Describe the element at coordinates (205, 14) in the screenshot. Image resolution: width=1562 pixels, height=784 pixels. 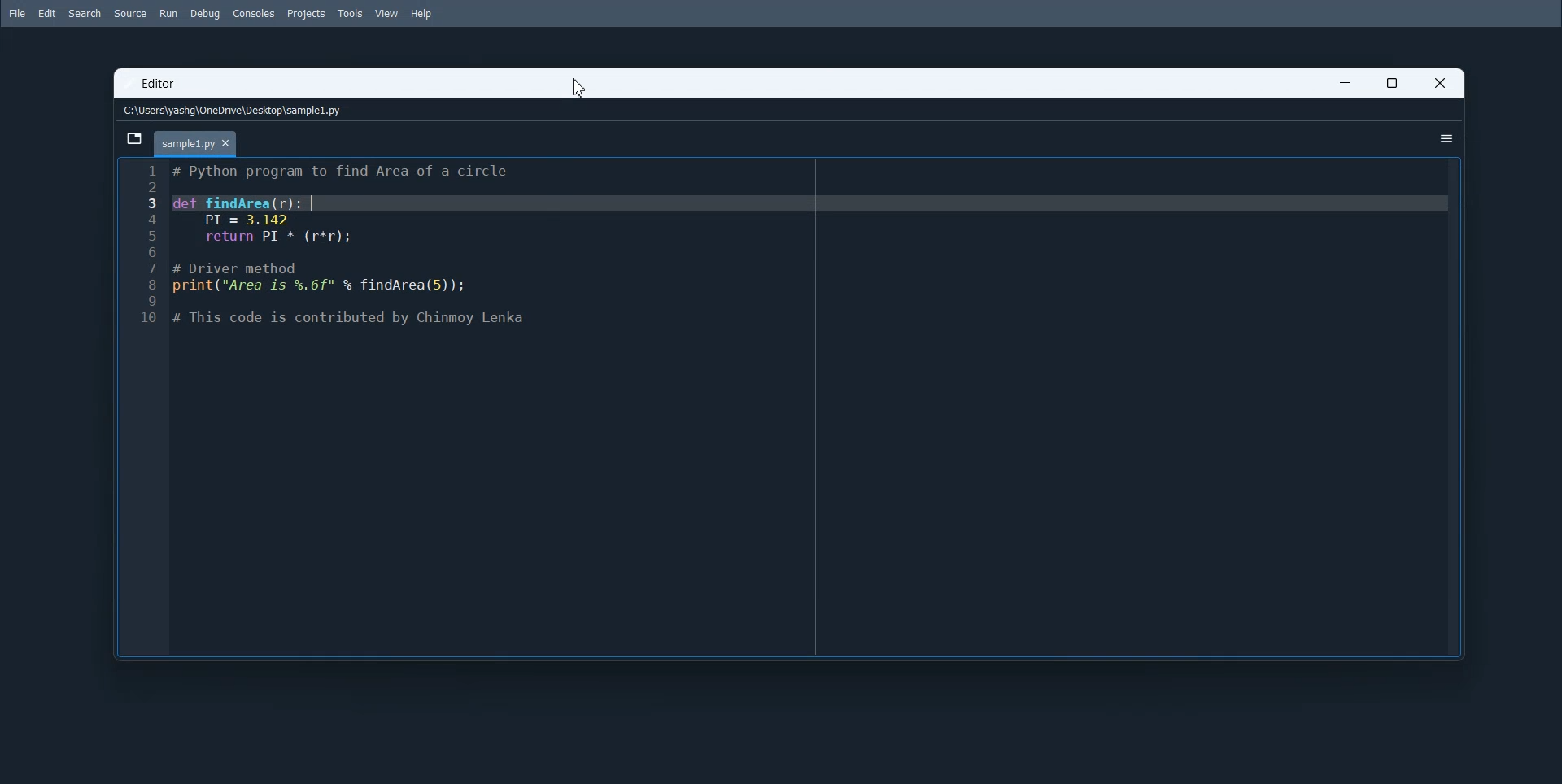
I see `Debug` at that location.